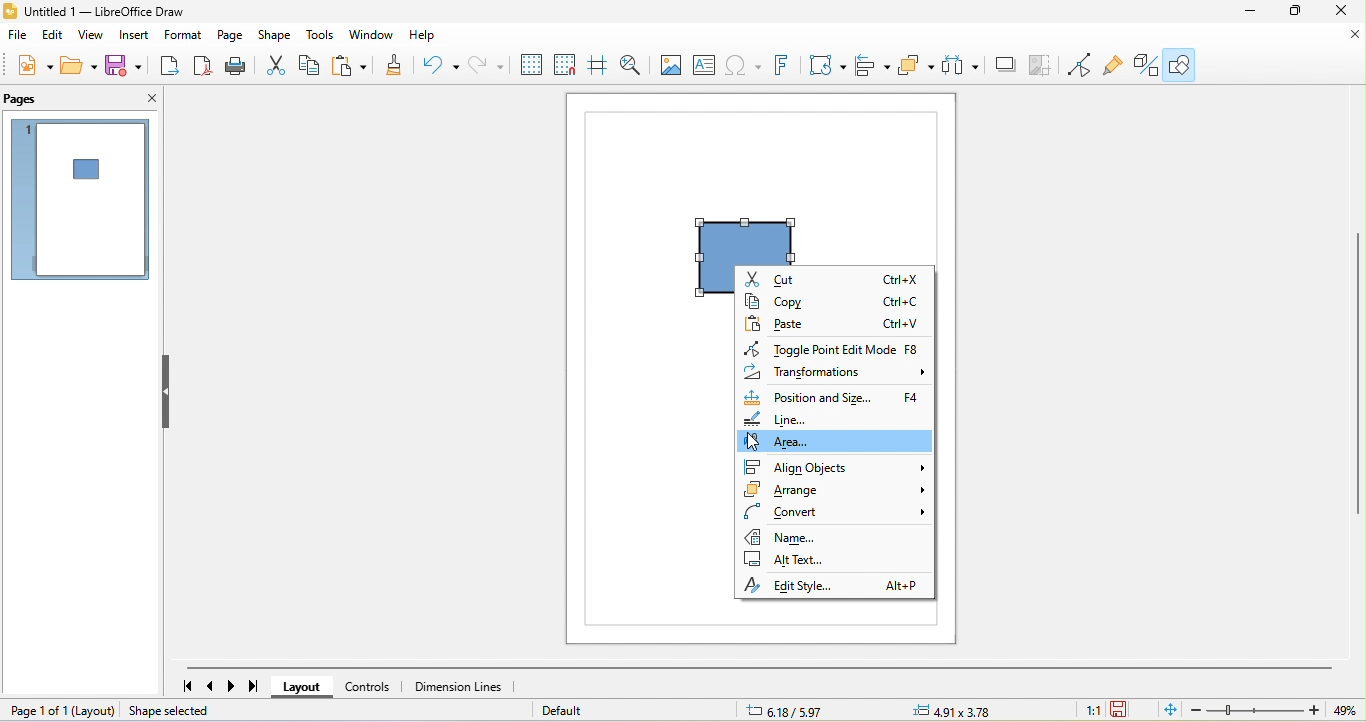  I want to click on help, so click(426, 35).